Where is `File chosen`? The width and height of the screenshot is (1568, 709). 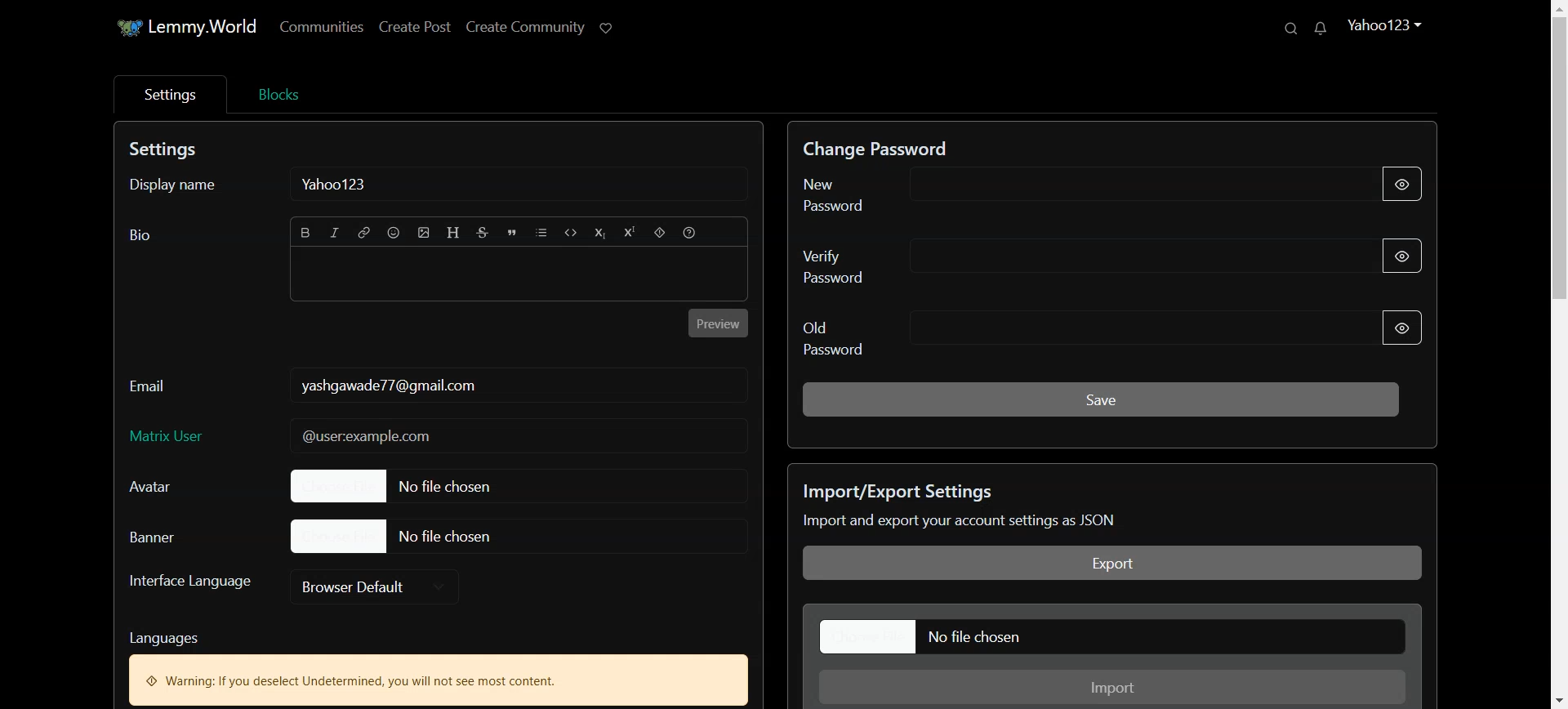 File chosen is located at coordinates (421, 485).